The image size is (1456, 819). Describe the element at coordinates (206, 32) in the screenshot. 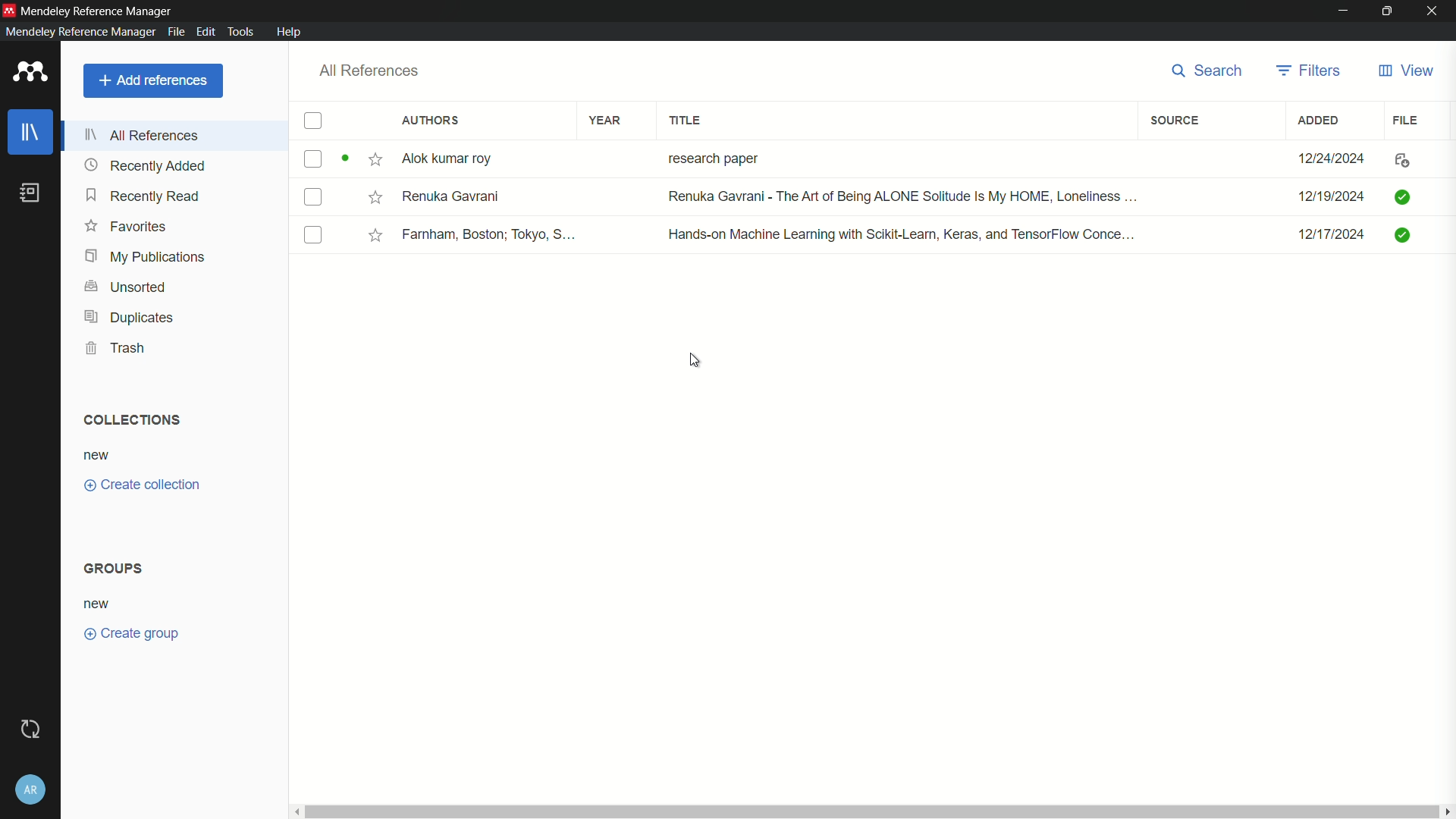

I see `edit menu` at that location.